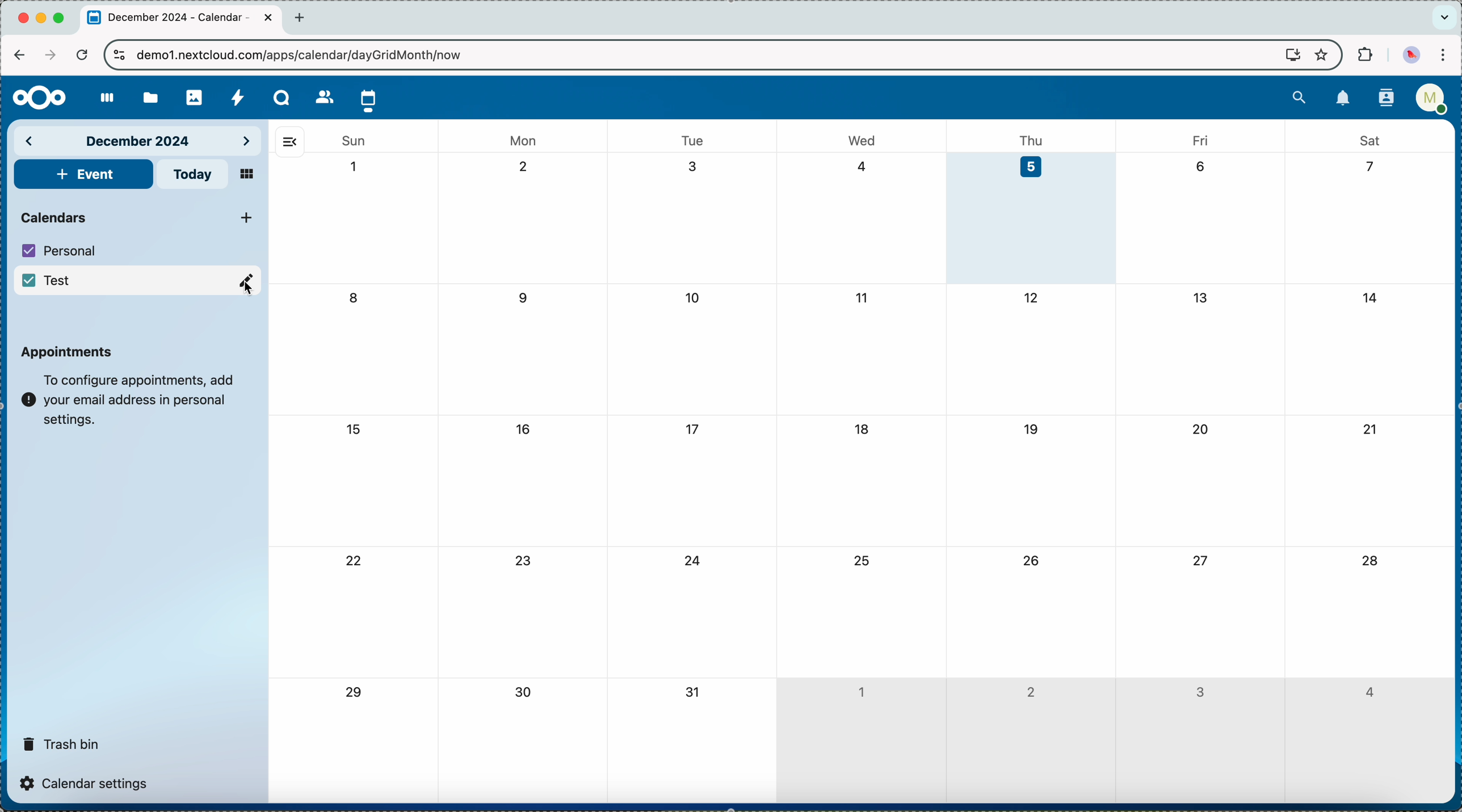 This screenshot has height=812, width=1462. Describe the element at coordinates (694, 166) in the screenshot. I see `3` at that location.